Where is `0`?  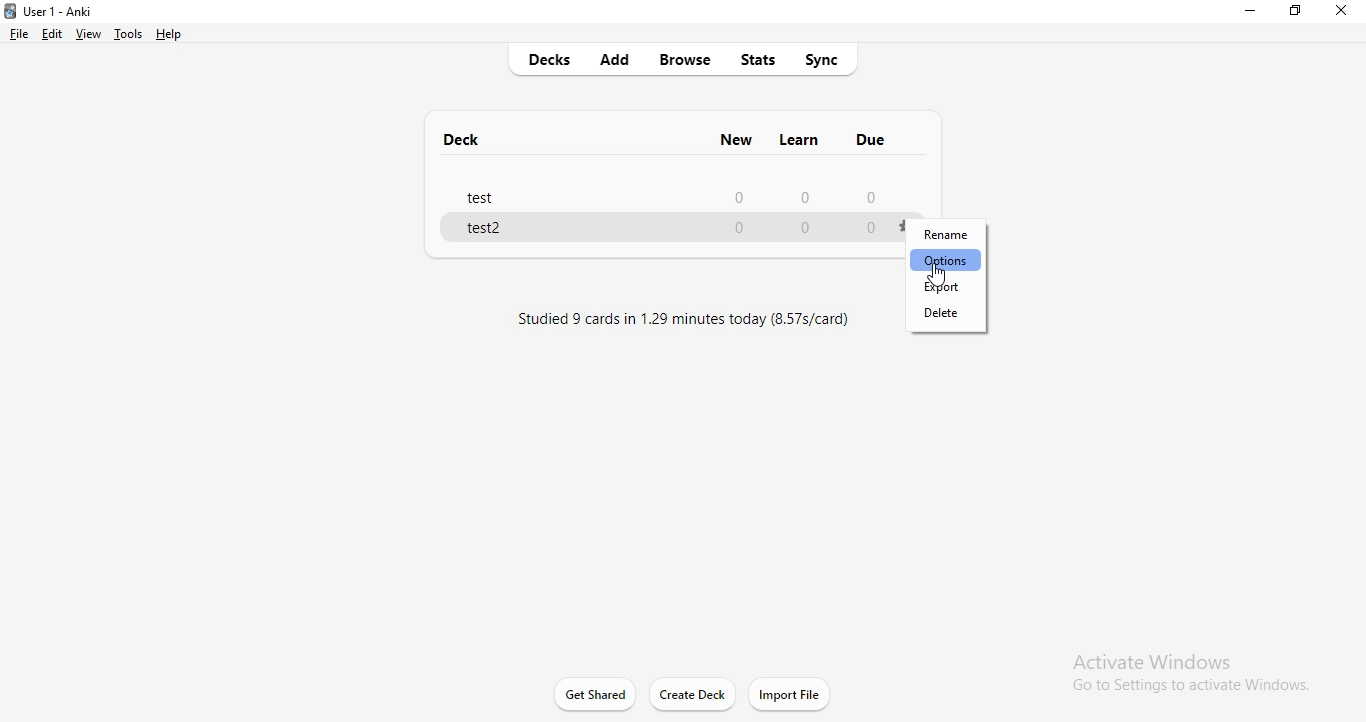
0 is located at coordinates (738, 230).